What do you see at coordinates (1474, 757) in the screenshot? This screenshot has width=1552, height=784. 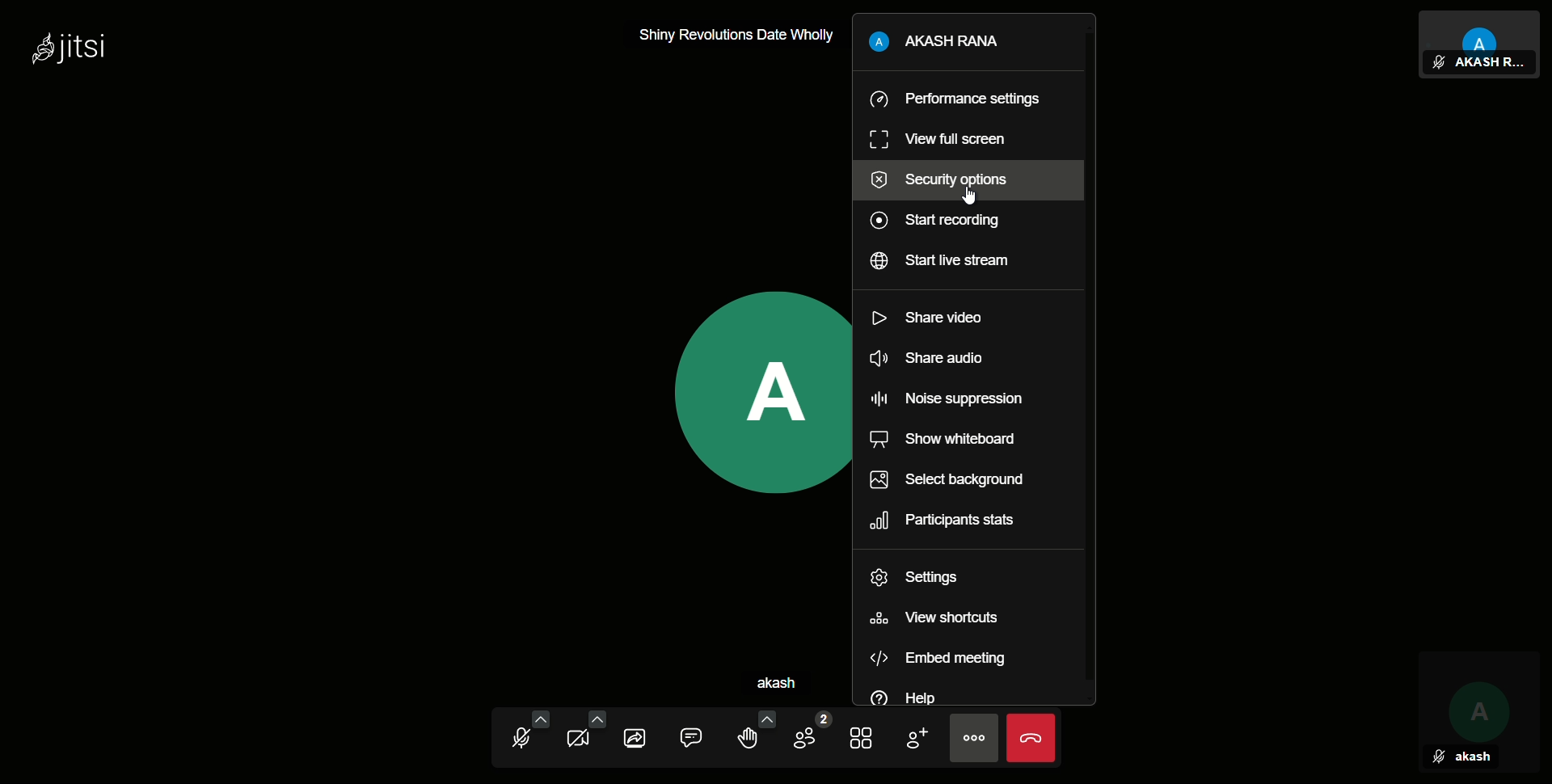 I see `name` at bounding box center [1474, 757].